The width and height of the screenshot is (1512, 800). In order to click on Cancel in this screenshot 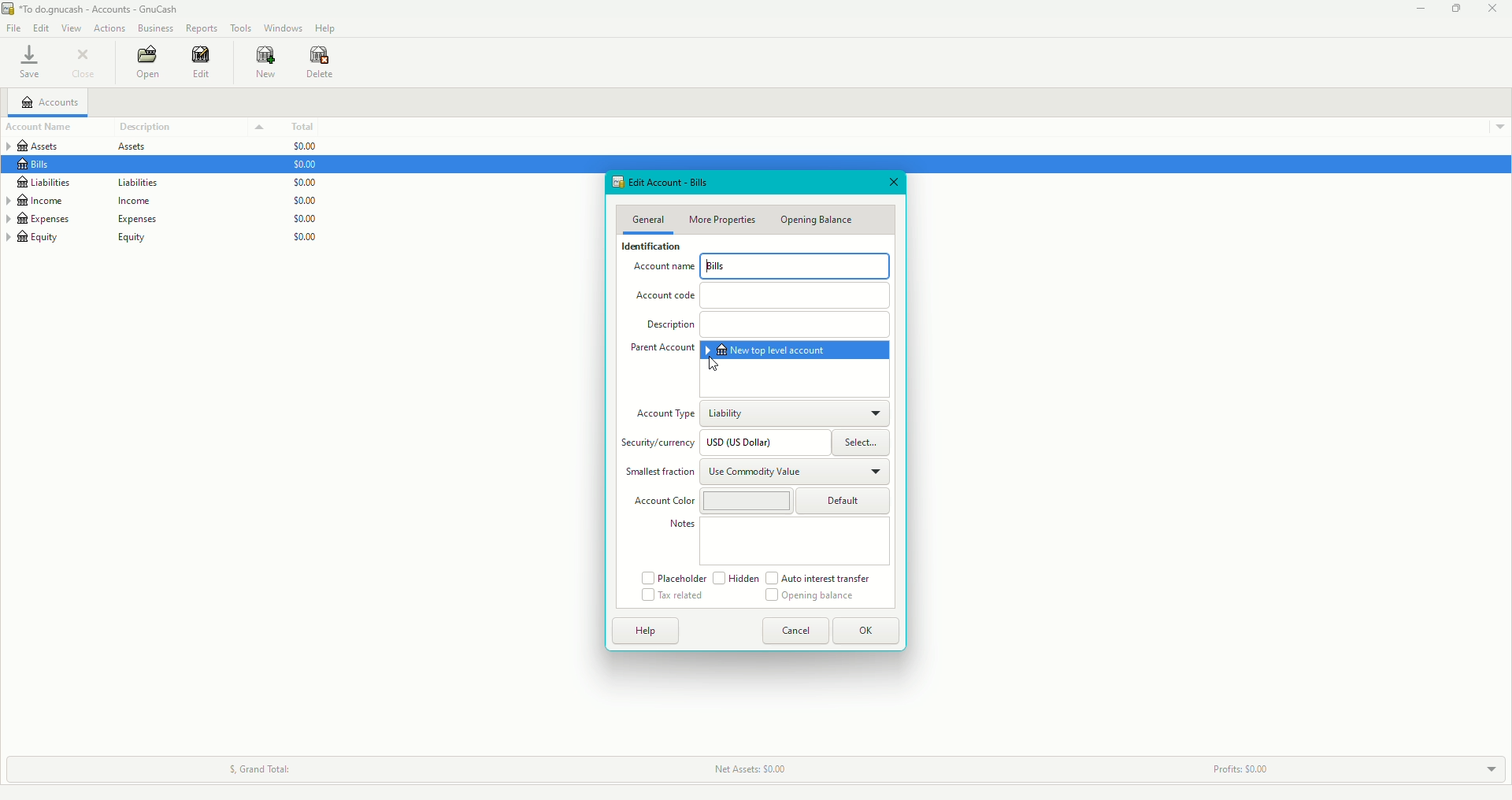, I will do `click(791, 631)`.